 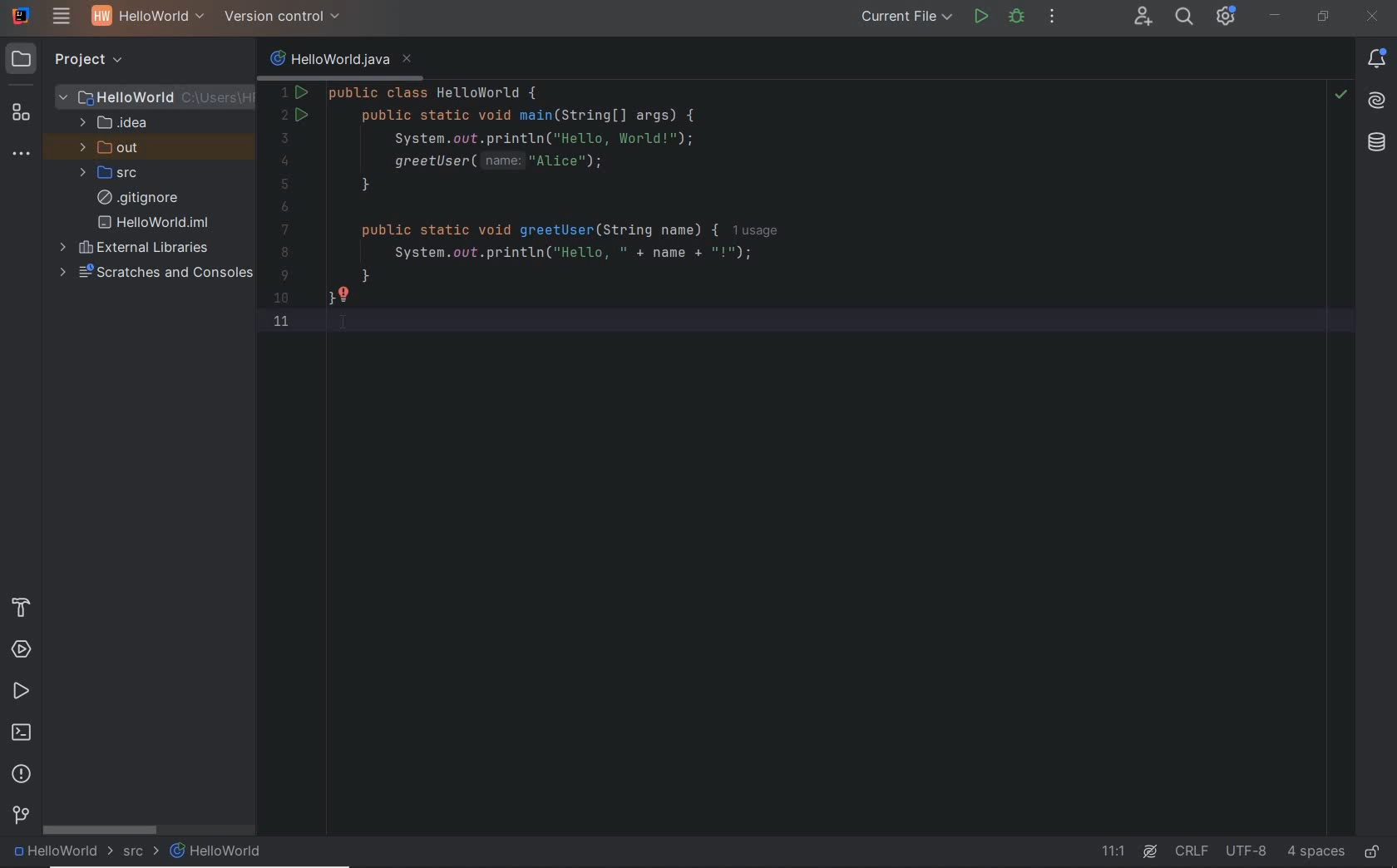 I want to click on database, so click(x=1378, y=143).